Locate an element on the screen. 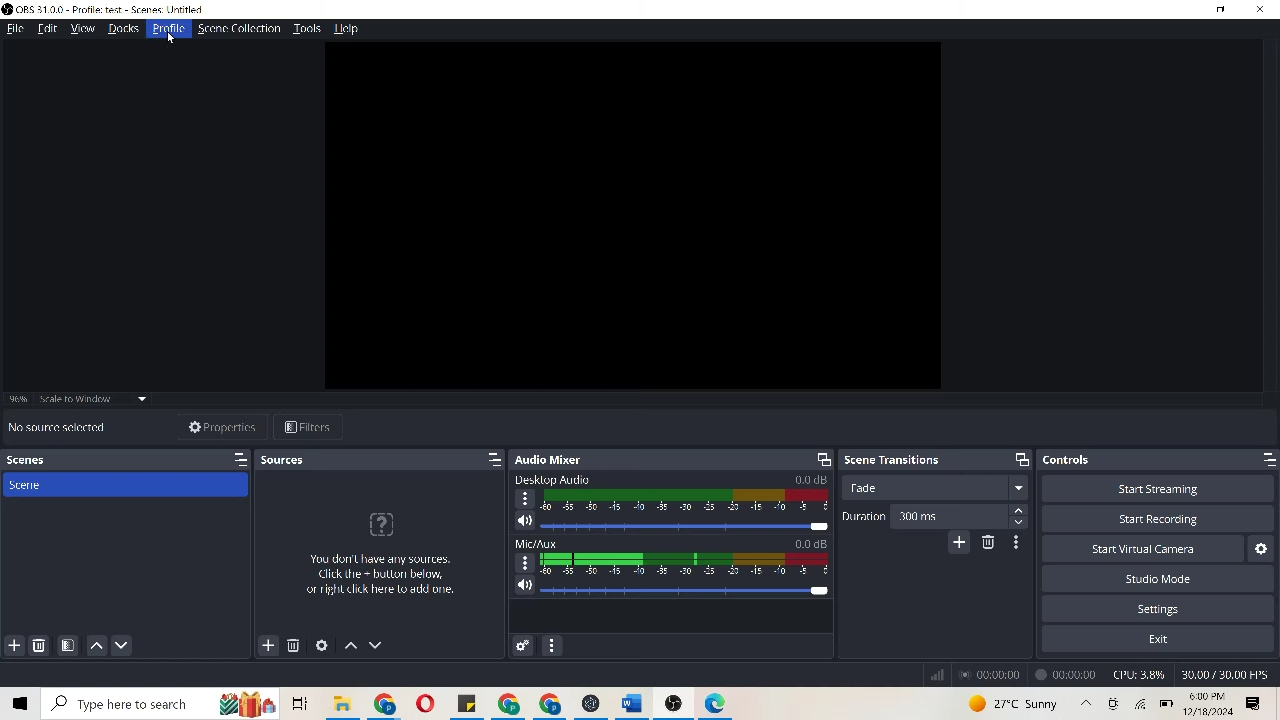 This screenshot has height=720, width=1280. word is located at coordinates (641, 701).